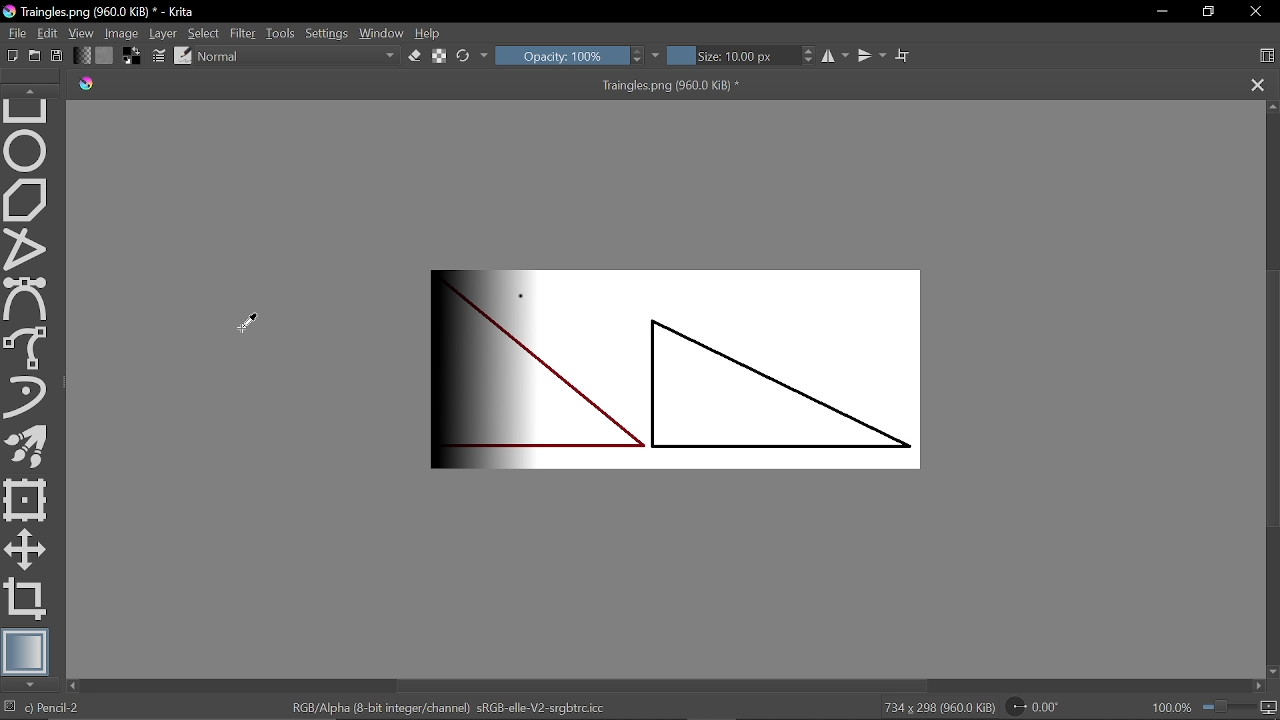 This screenshot has height=720, width=1280. What do you see at coordinates (244, 32) in the screenshot?
I see `Filter` at bounding box center [244, 32].